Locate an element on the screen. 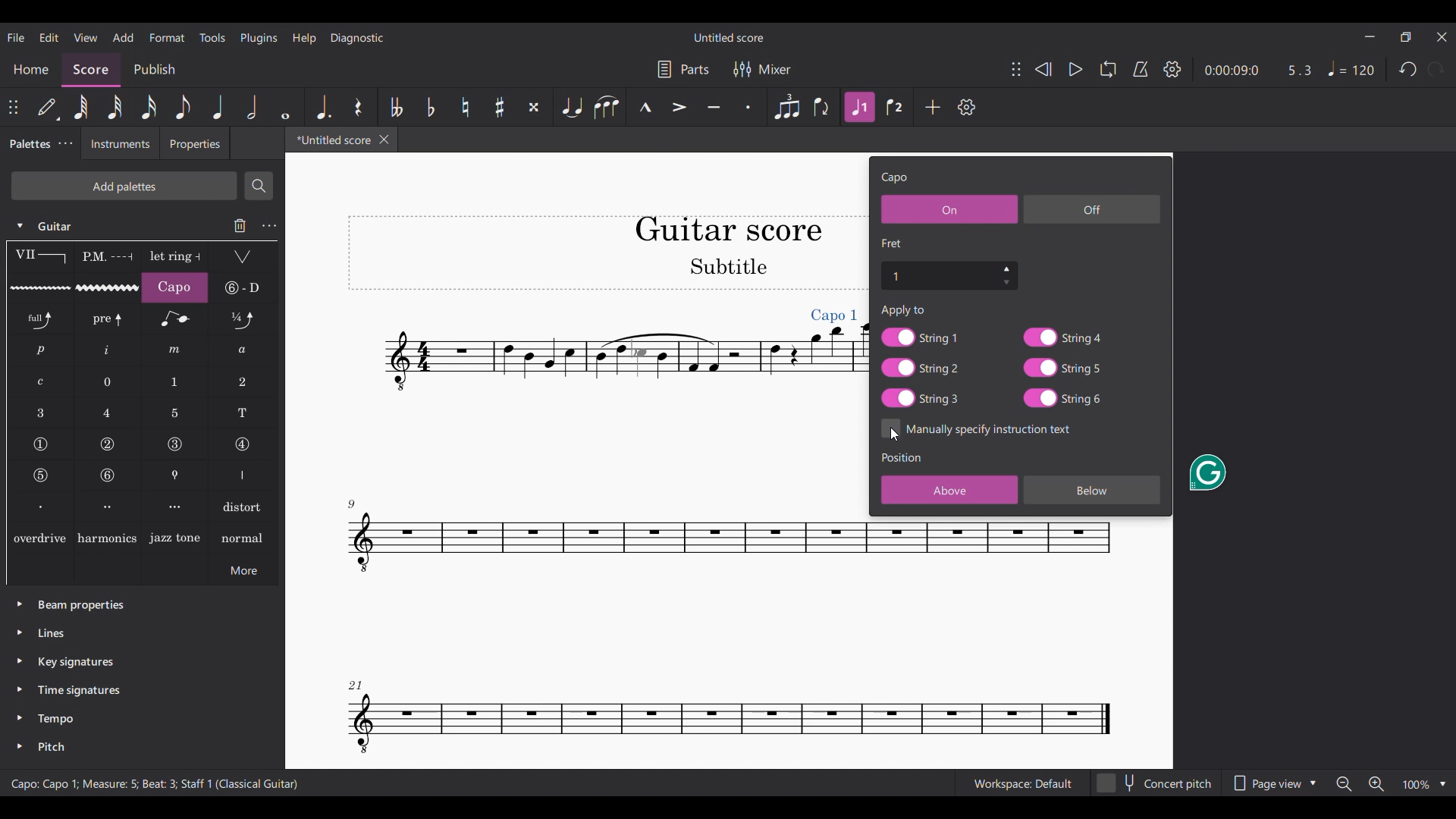  Format menu is located at coordinates (167, 37).